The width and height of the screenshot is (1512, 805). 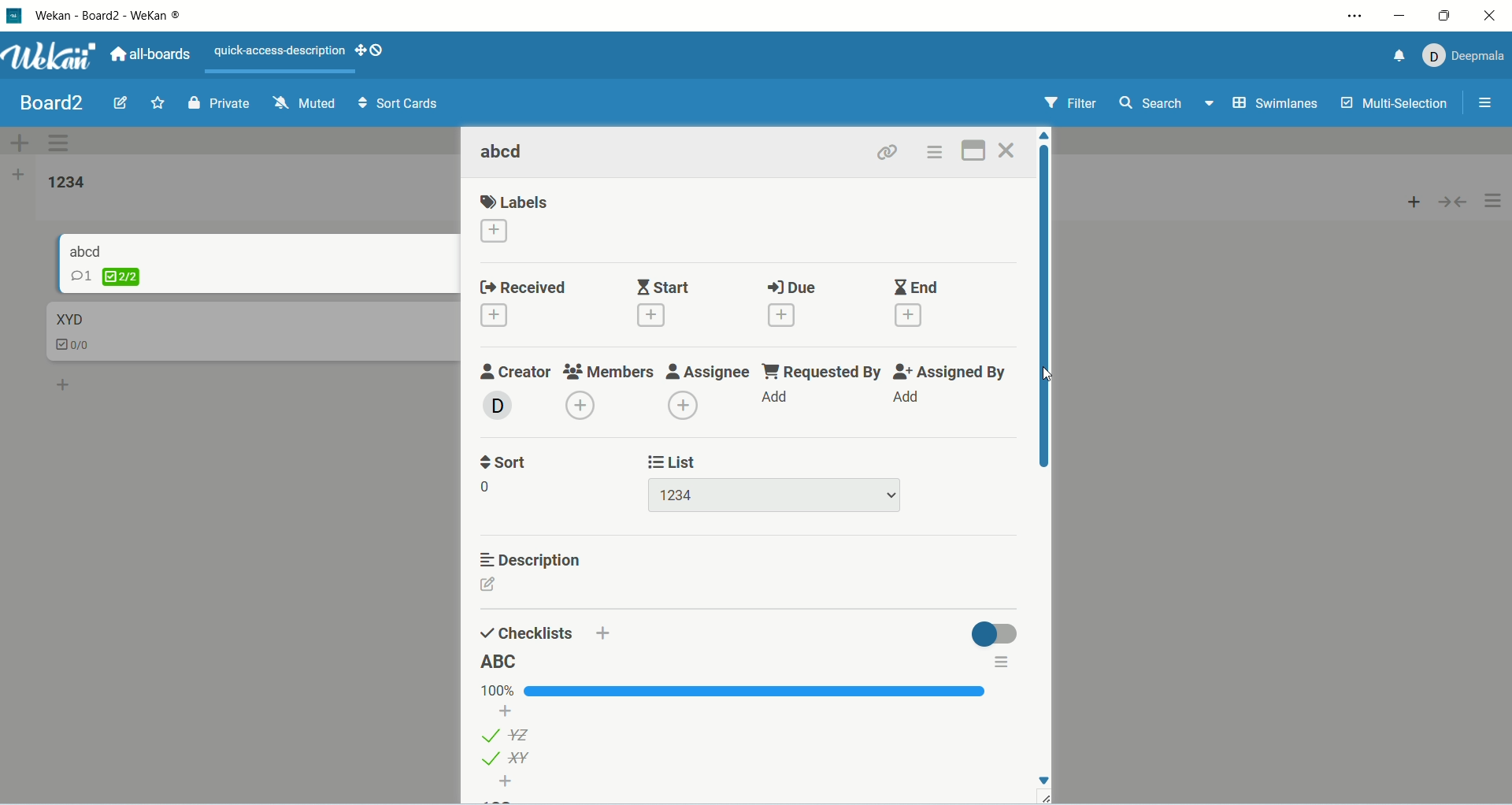 What do you see at coordinates (61, 145) in the screenshot?
I see `swimlane actions` at bounding box center [61, 145].